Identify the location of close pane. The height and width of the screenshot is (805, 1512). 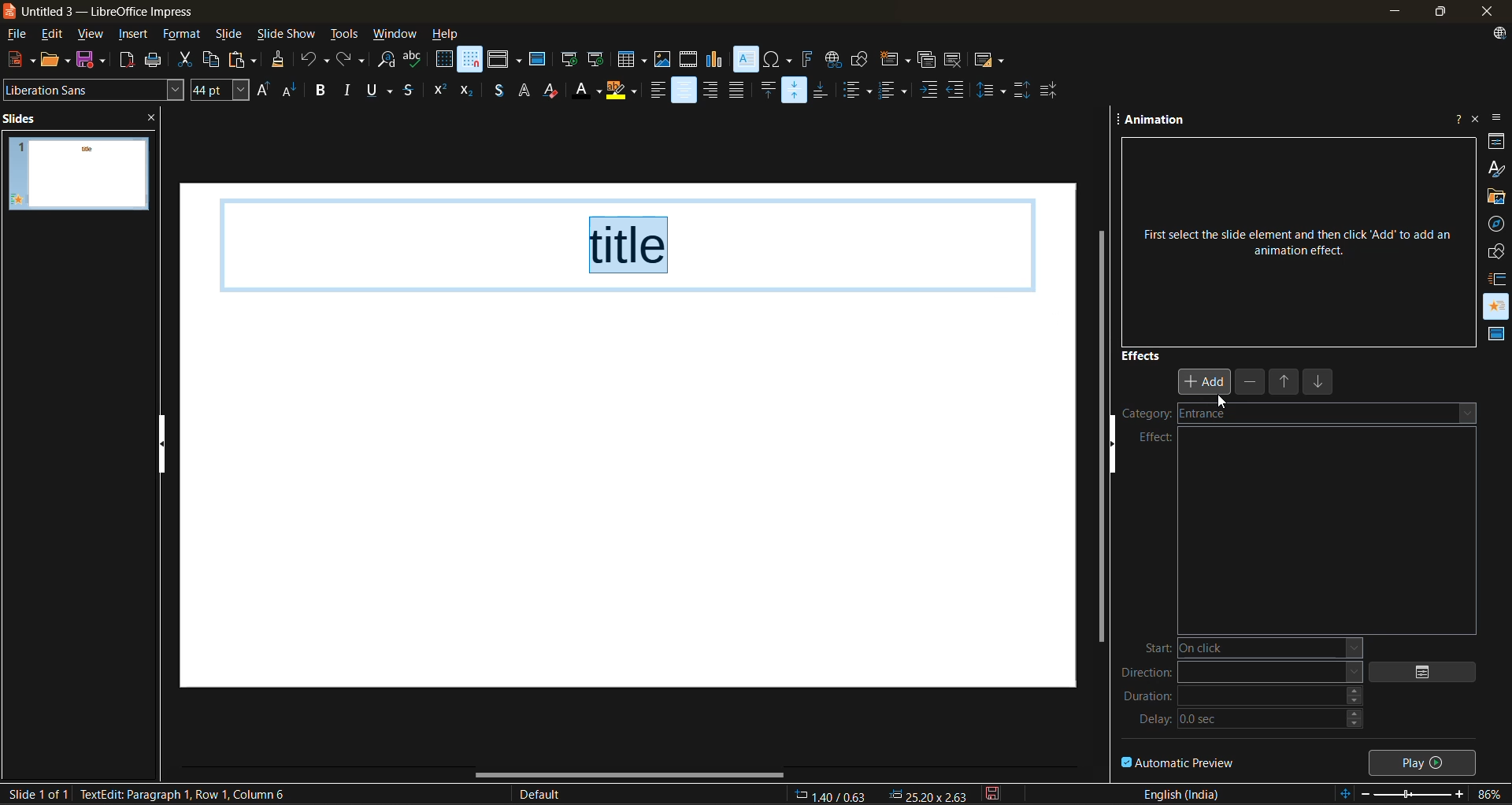
(159, 120).